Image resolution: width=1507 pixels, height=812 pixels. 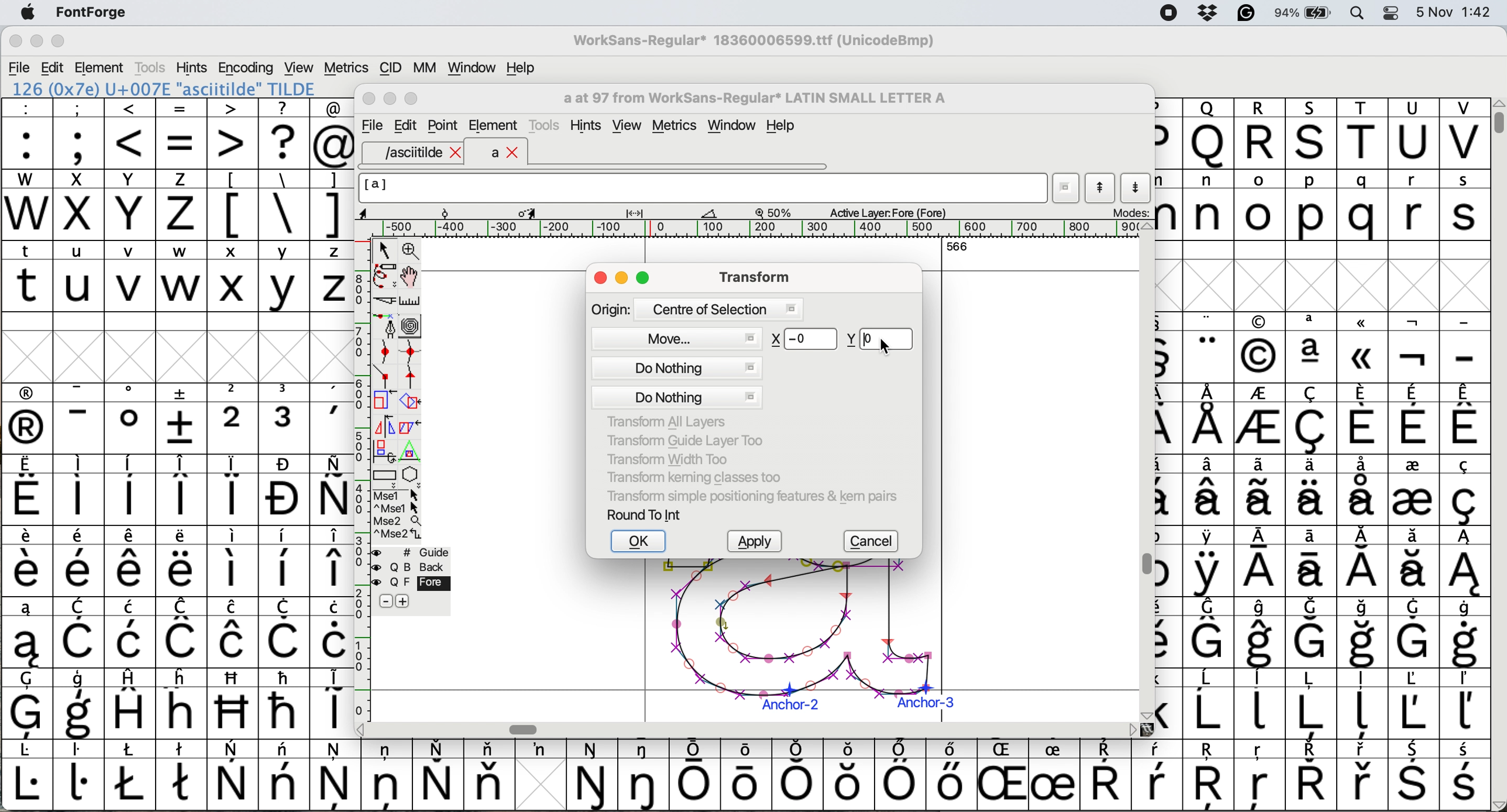 What do you see at coordinates (489, 774) in the screenshot?
I see `symbol` at bounding box center [489, 774].